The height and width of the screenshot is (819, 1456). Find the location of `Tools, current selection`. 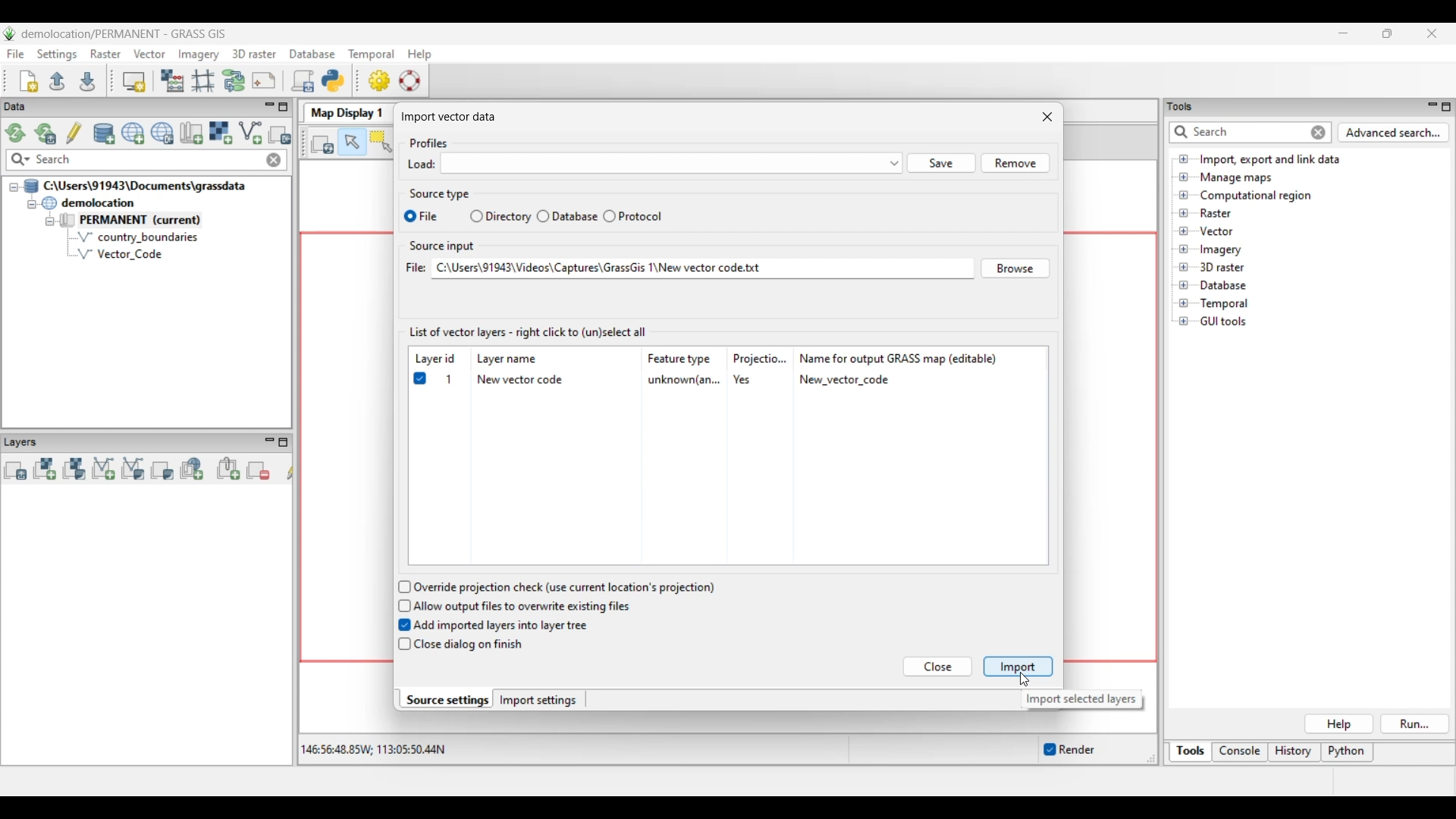

Tools, current selection is located at coordinates (1191, 752).